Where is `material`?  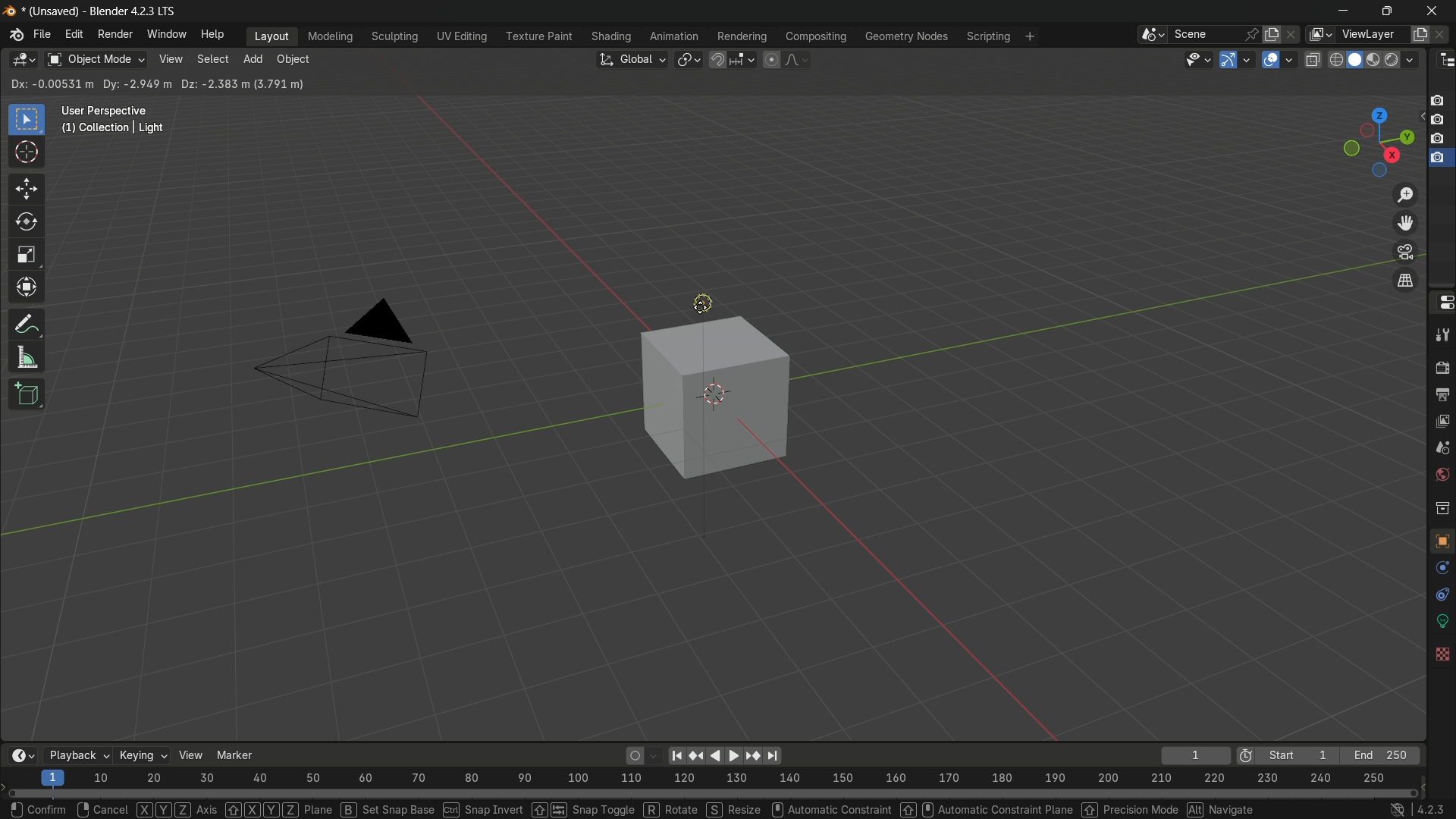 material is located at coordinates (1439, 702).